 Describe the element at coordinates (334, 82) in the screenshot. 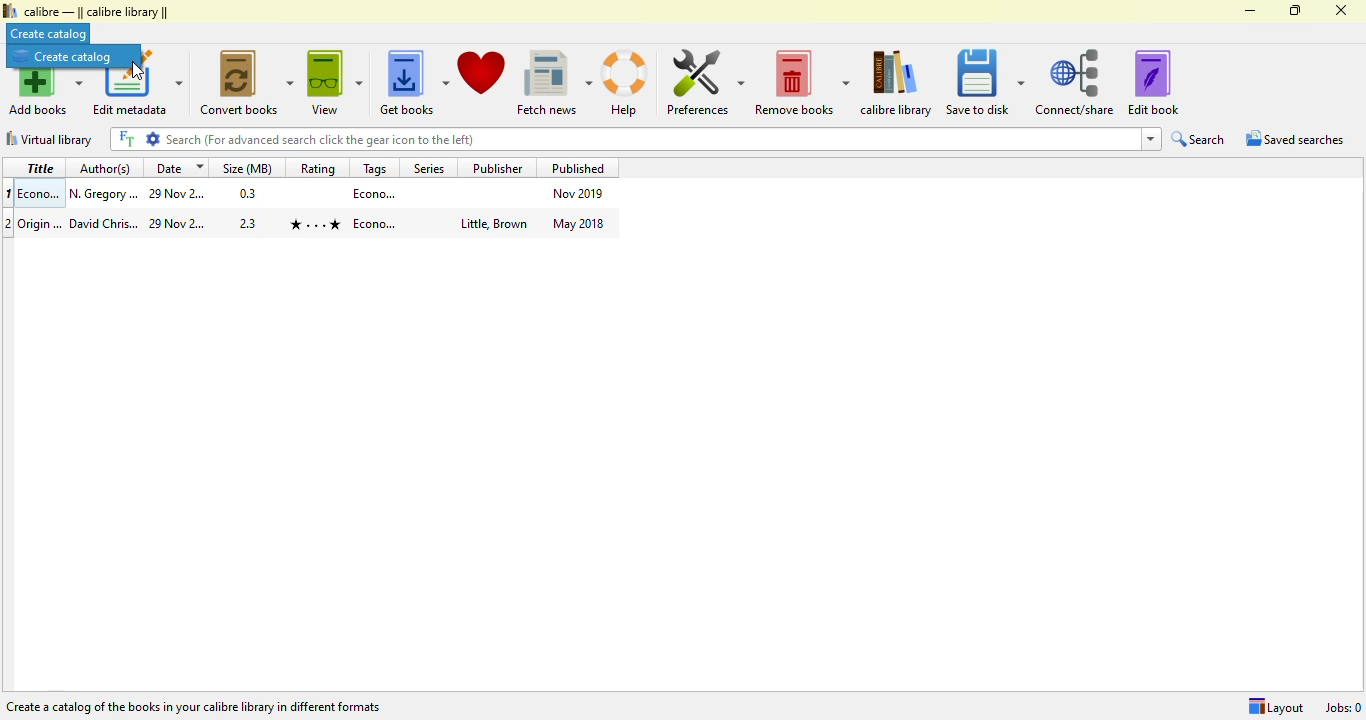

I see `view` at that location.